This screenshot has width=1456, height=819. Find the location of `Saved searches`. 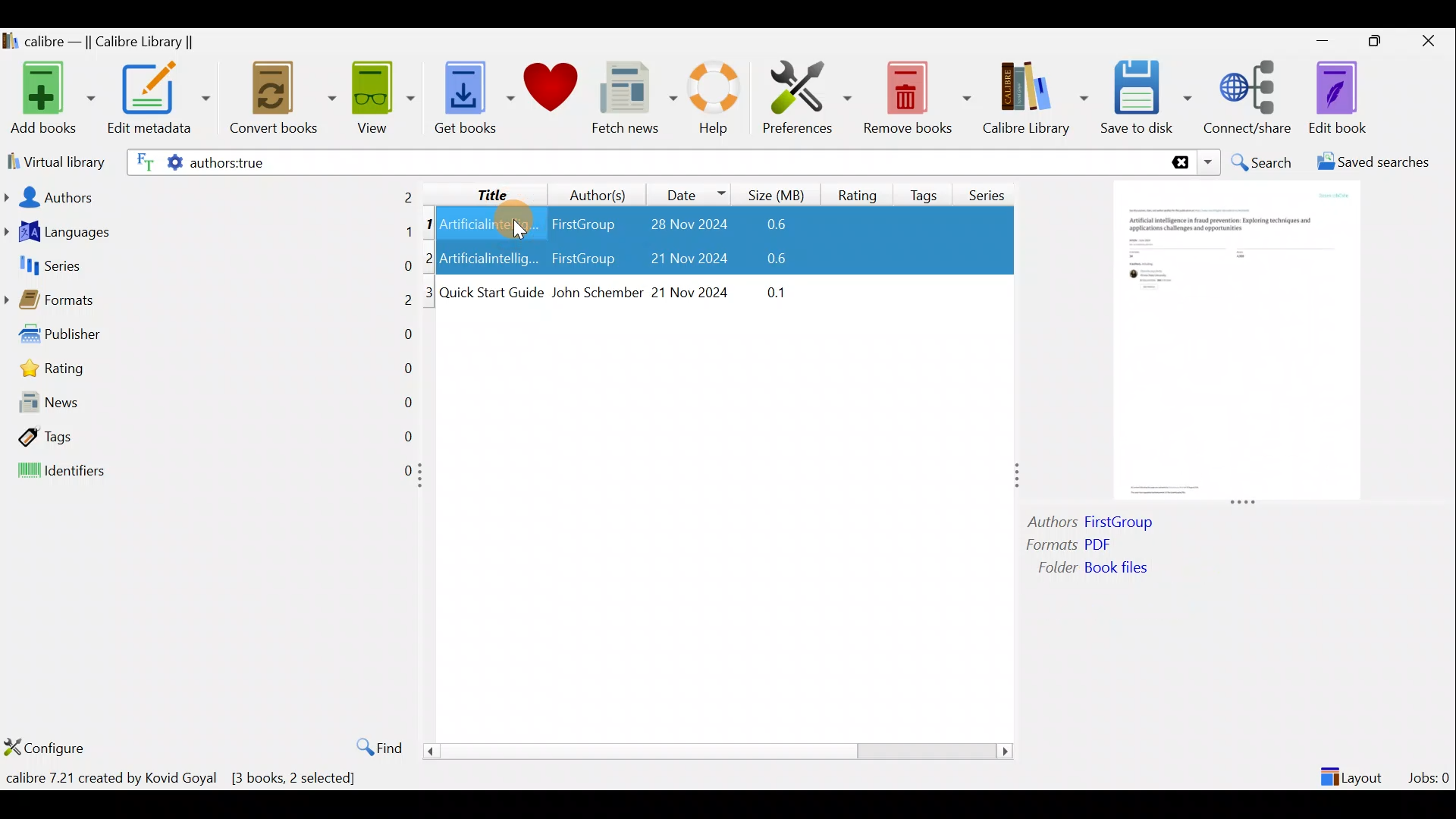

Saved searches is located at coordinates (1378, 164).